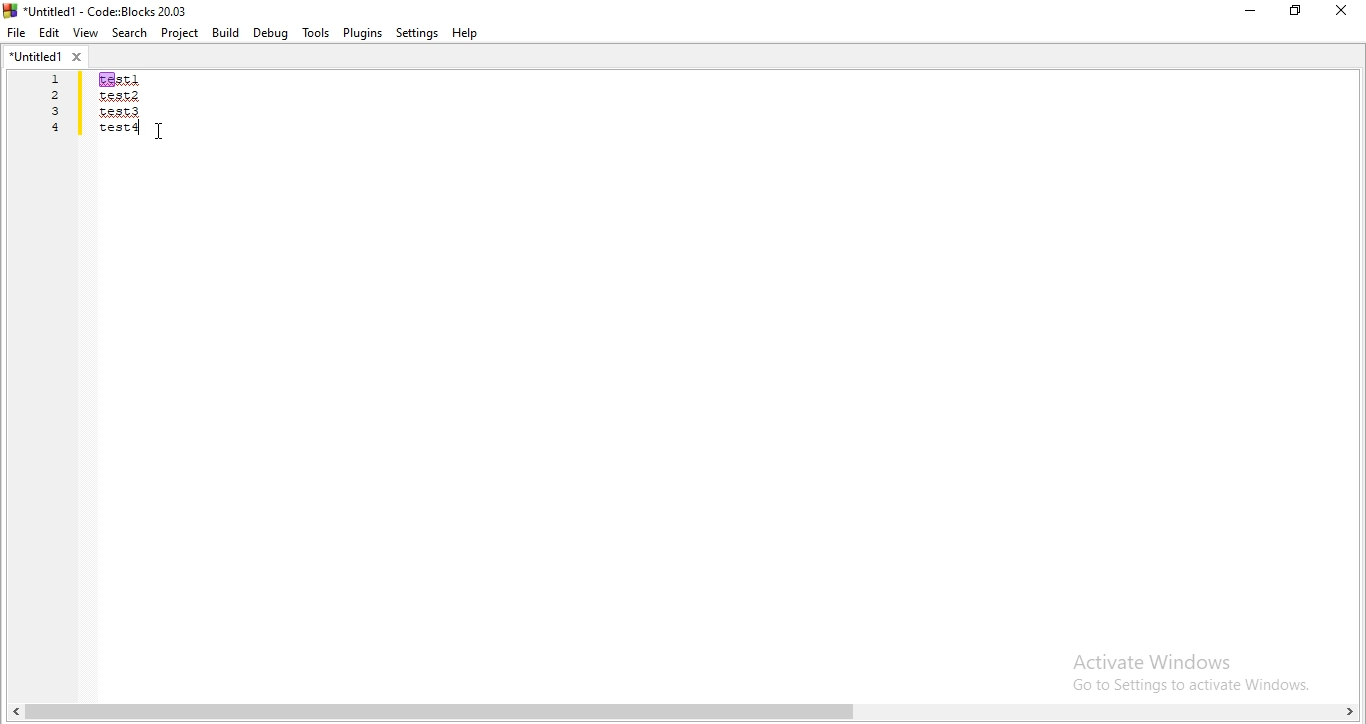 This screenshot has height=724, width=1366. I want to click on Settings , so click(419, 33).